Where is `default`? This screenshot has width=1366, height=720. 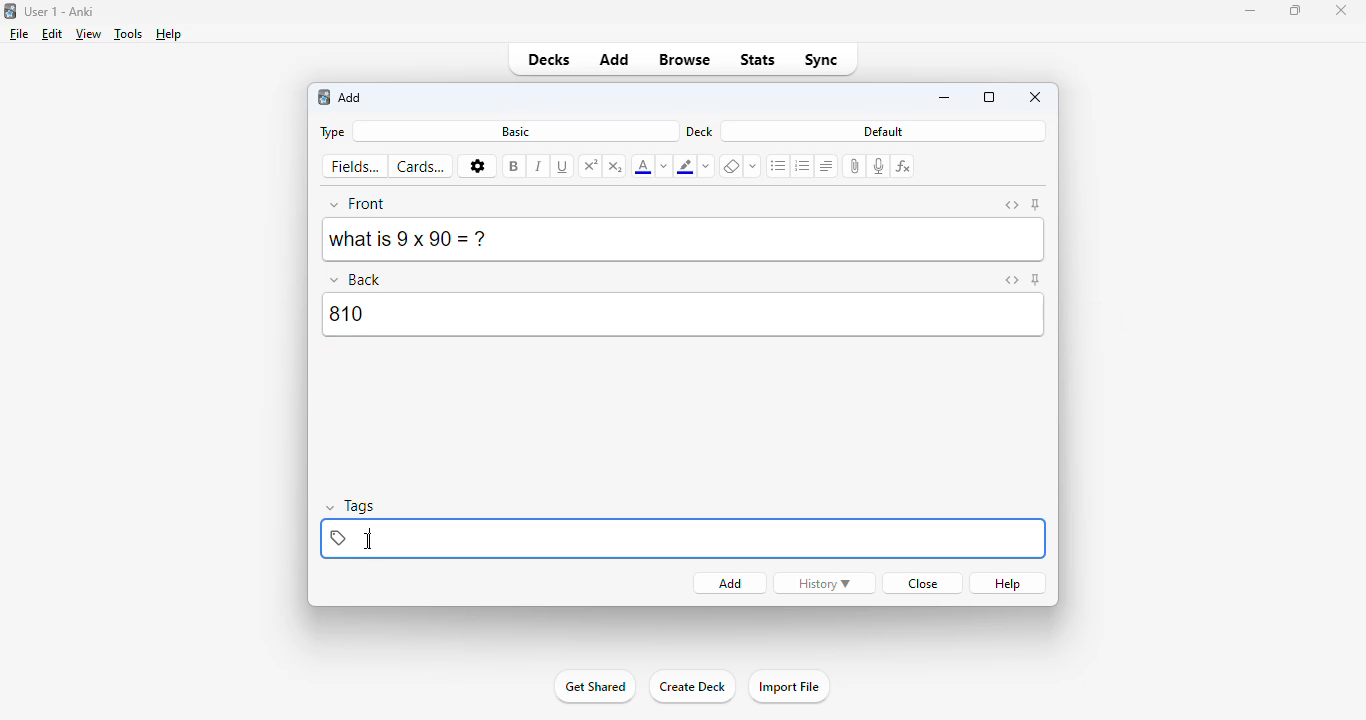
default is located at coordinates (884, 131).